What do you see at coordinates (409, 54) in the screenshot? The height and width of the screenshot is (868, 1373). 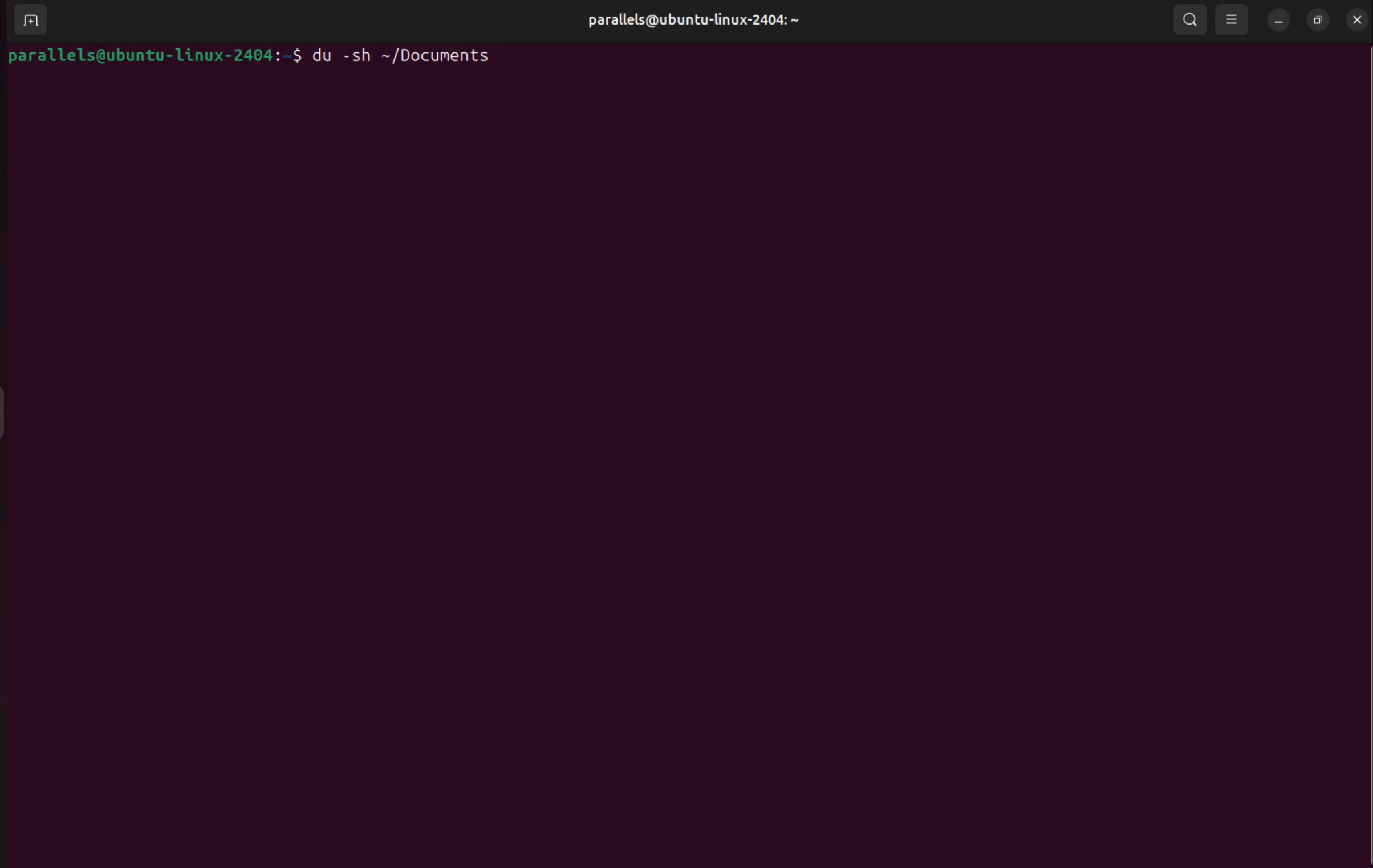 I see `du -sh ~/Documents` at bounding box center [409, 54].